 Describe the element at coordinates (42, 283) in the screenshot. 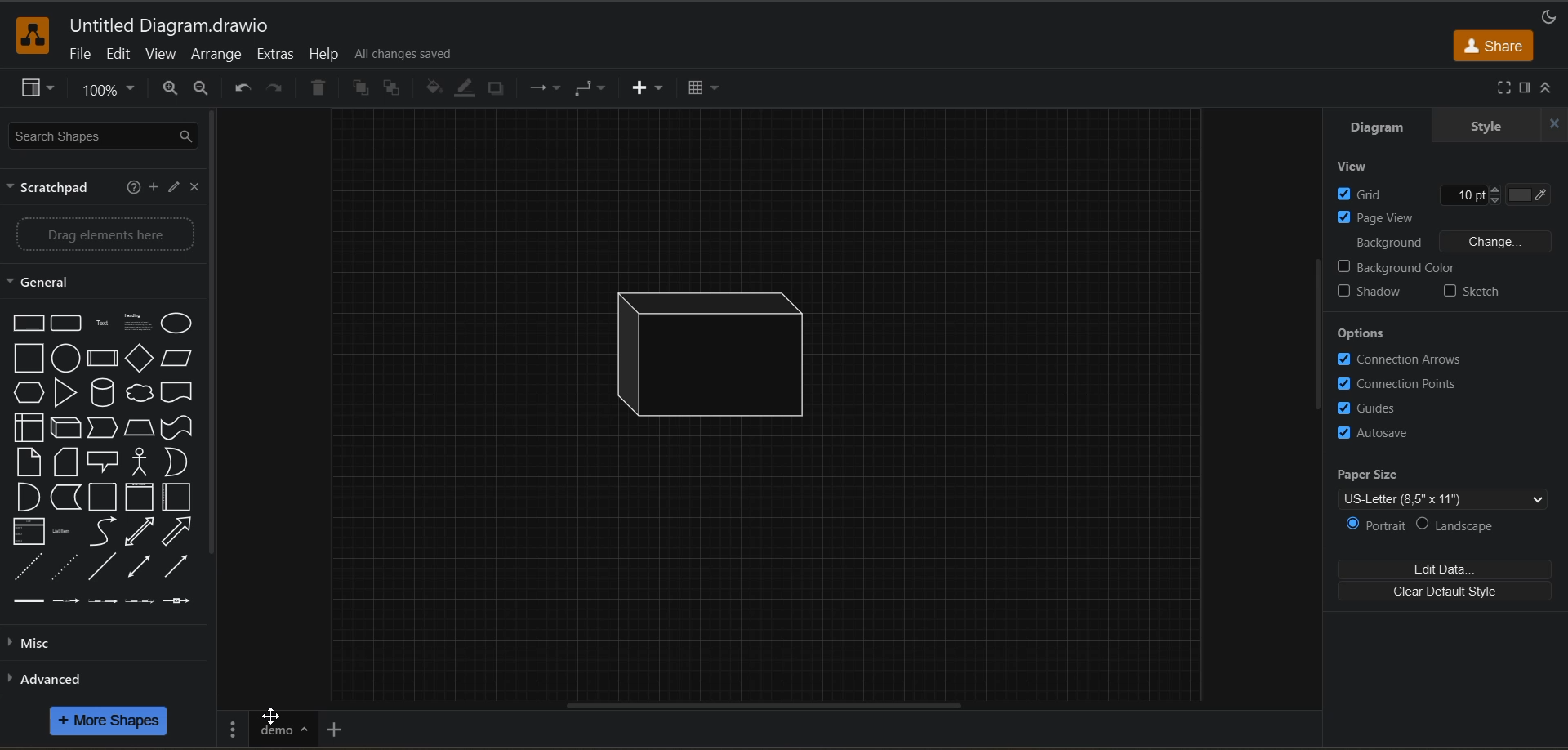

I see `general` at that location.